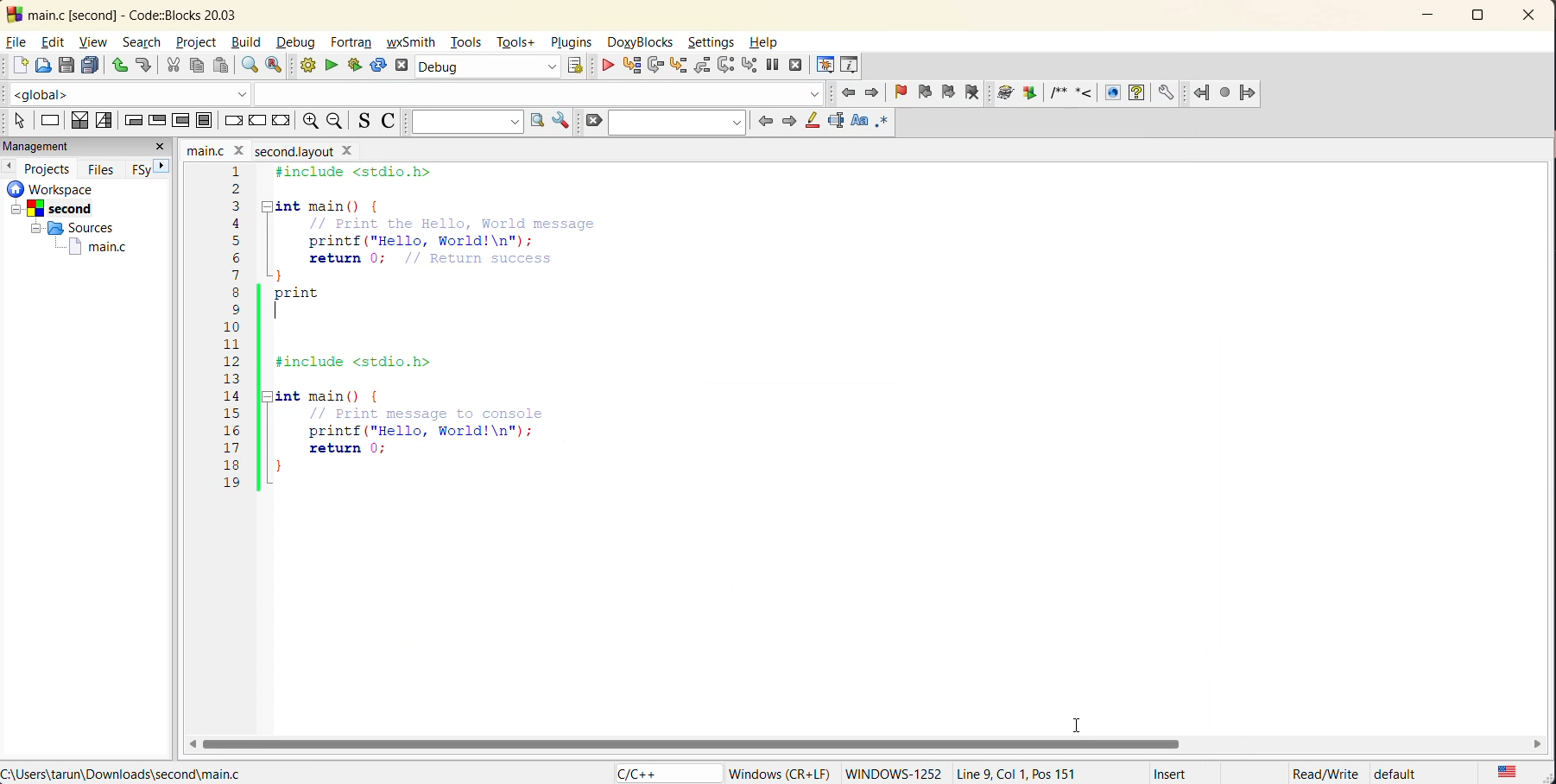 The height and width of the screenshot is (784, 1556). I want to click on replace, so click(281, 68).